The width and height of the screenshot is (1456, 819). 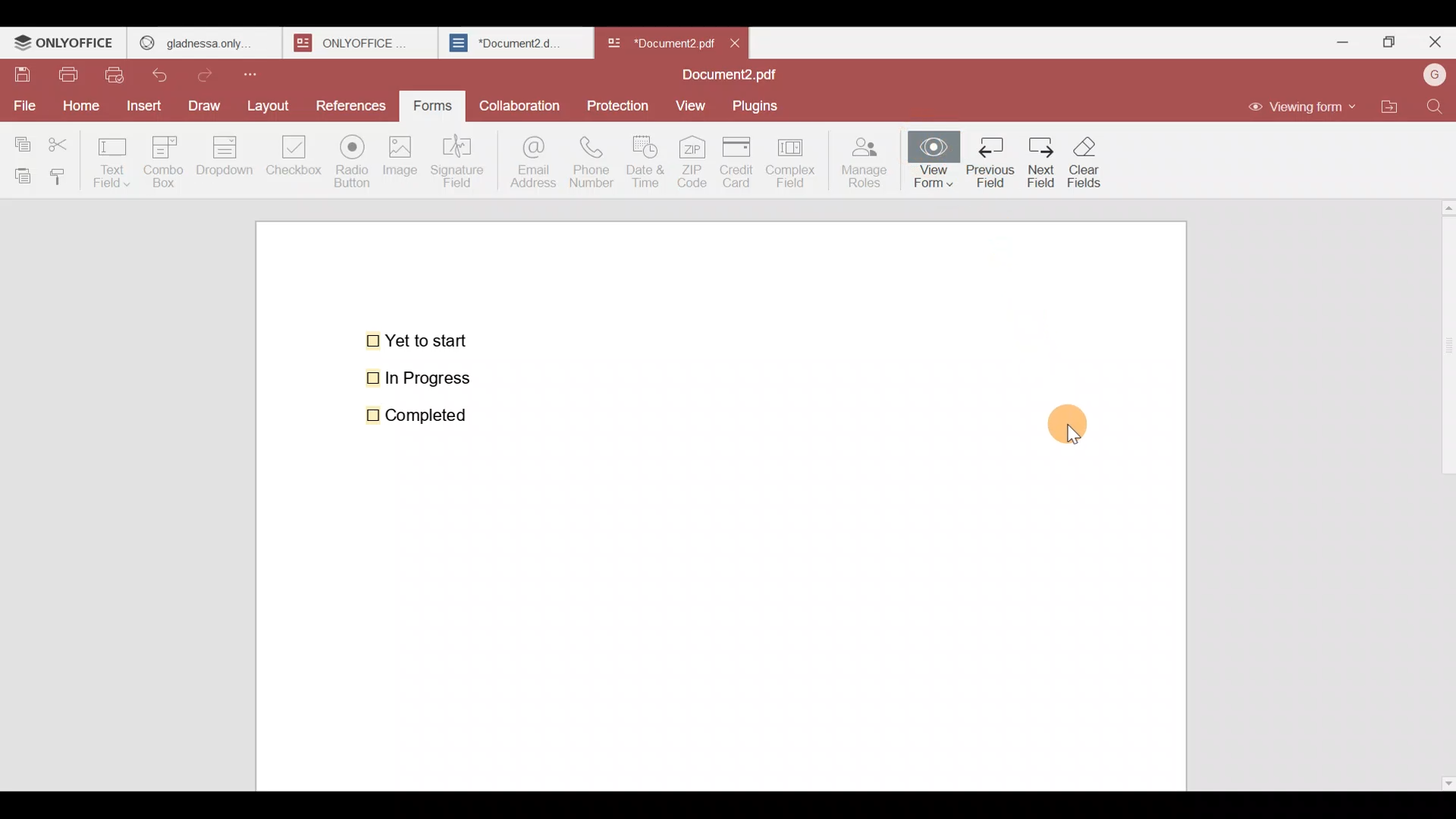 I want to click on Forms, so click(x=434, y=104).